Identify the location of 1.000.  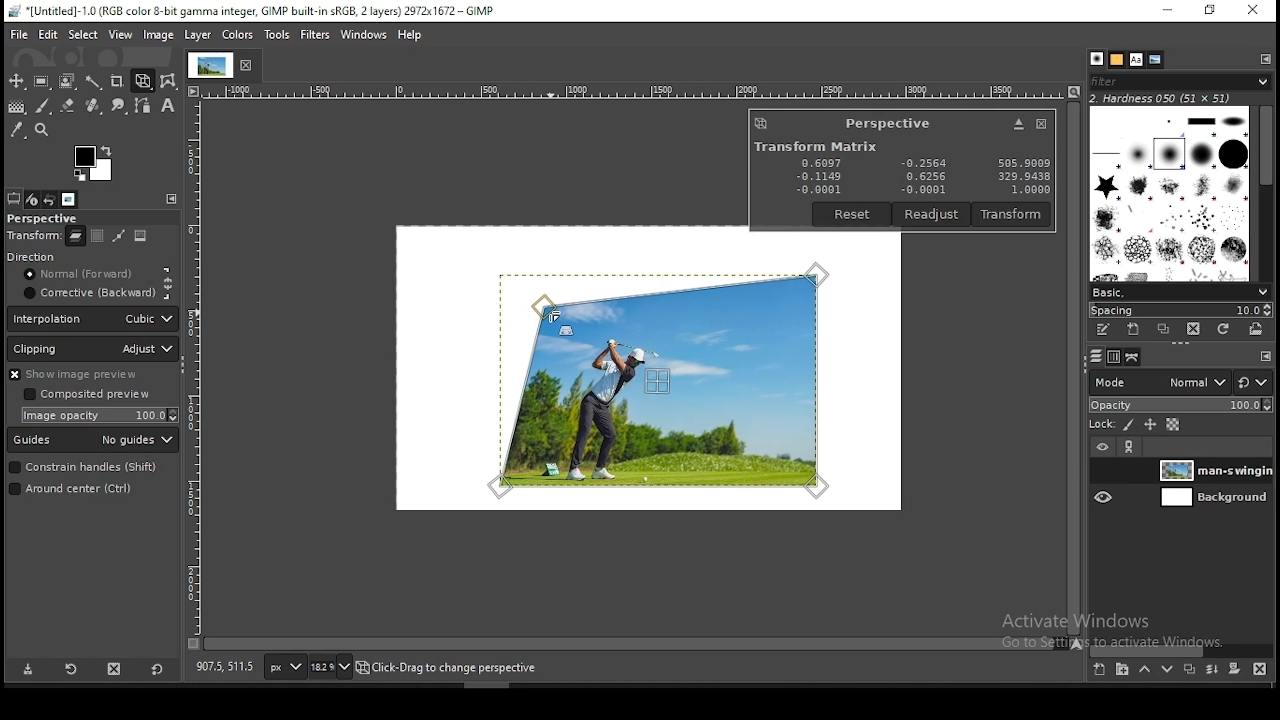
(1028, 190).